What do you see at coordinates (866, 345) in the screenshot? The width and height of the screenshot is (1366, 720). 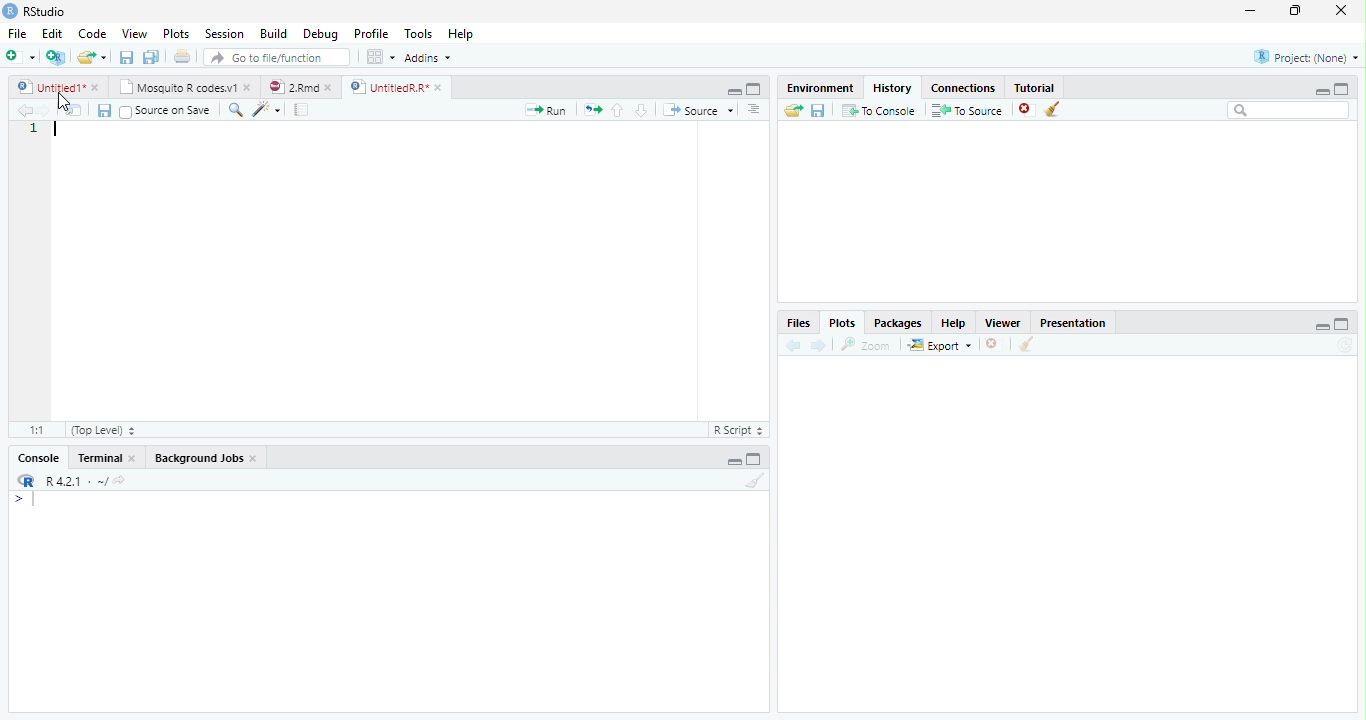 I see `Zoom` at bounding box center [866, 345].